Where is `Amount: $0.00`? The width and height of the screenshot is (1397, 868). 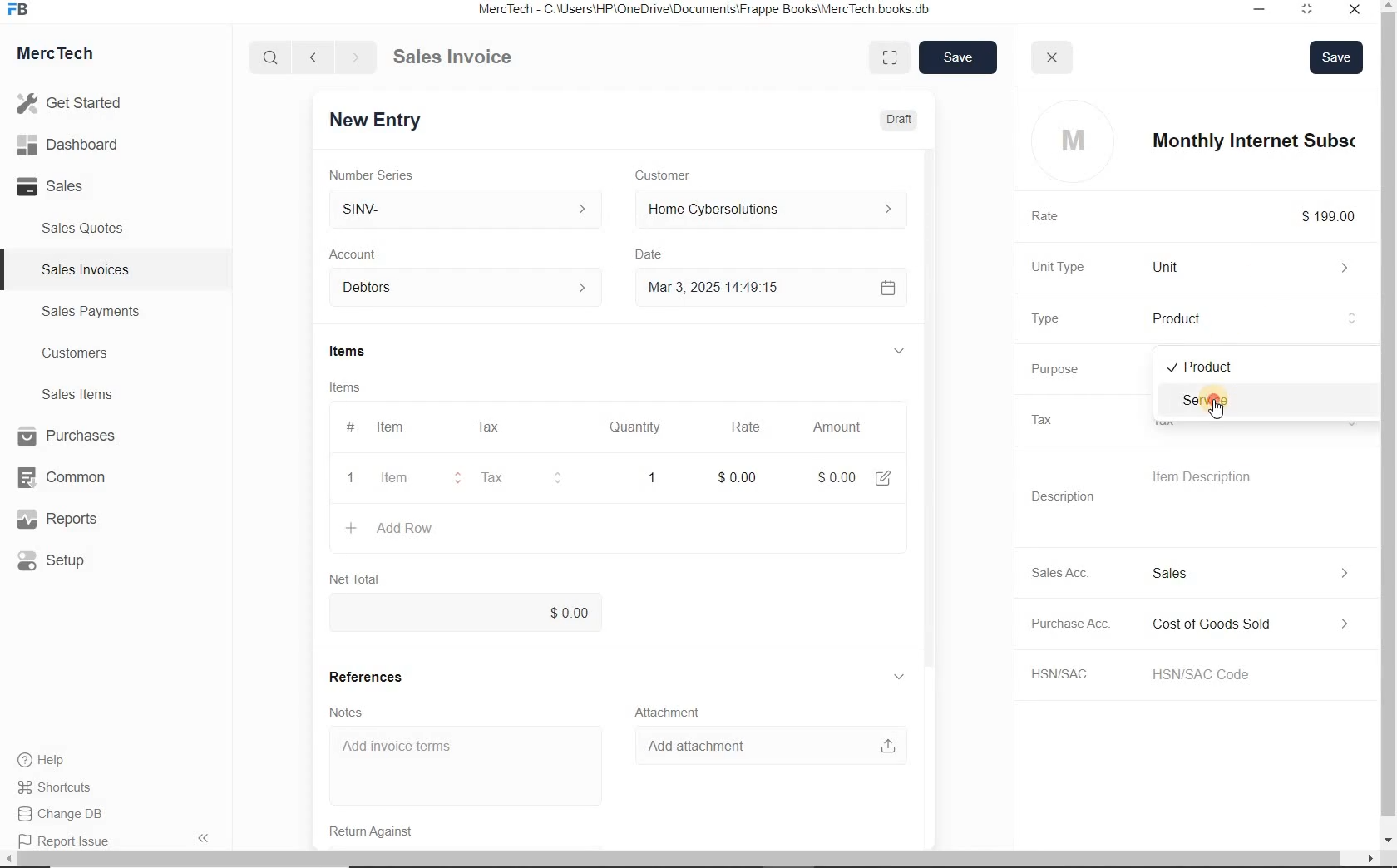 Amount: $0.00 is located at coordinates (841, 476).